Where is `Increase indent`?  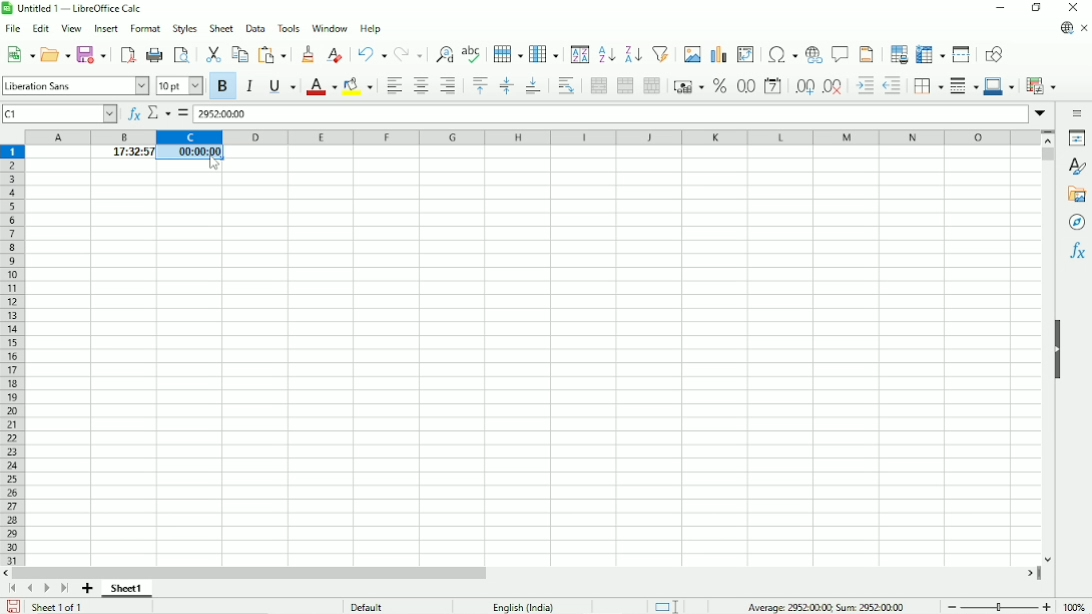 Increase indent is located at coordinates (863, 87).